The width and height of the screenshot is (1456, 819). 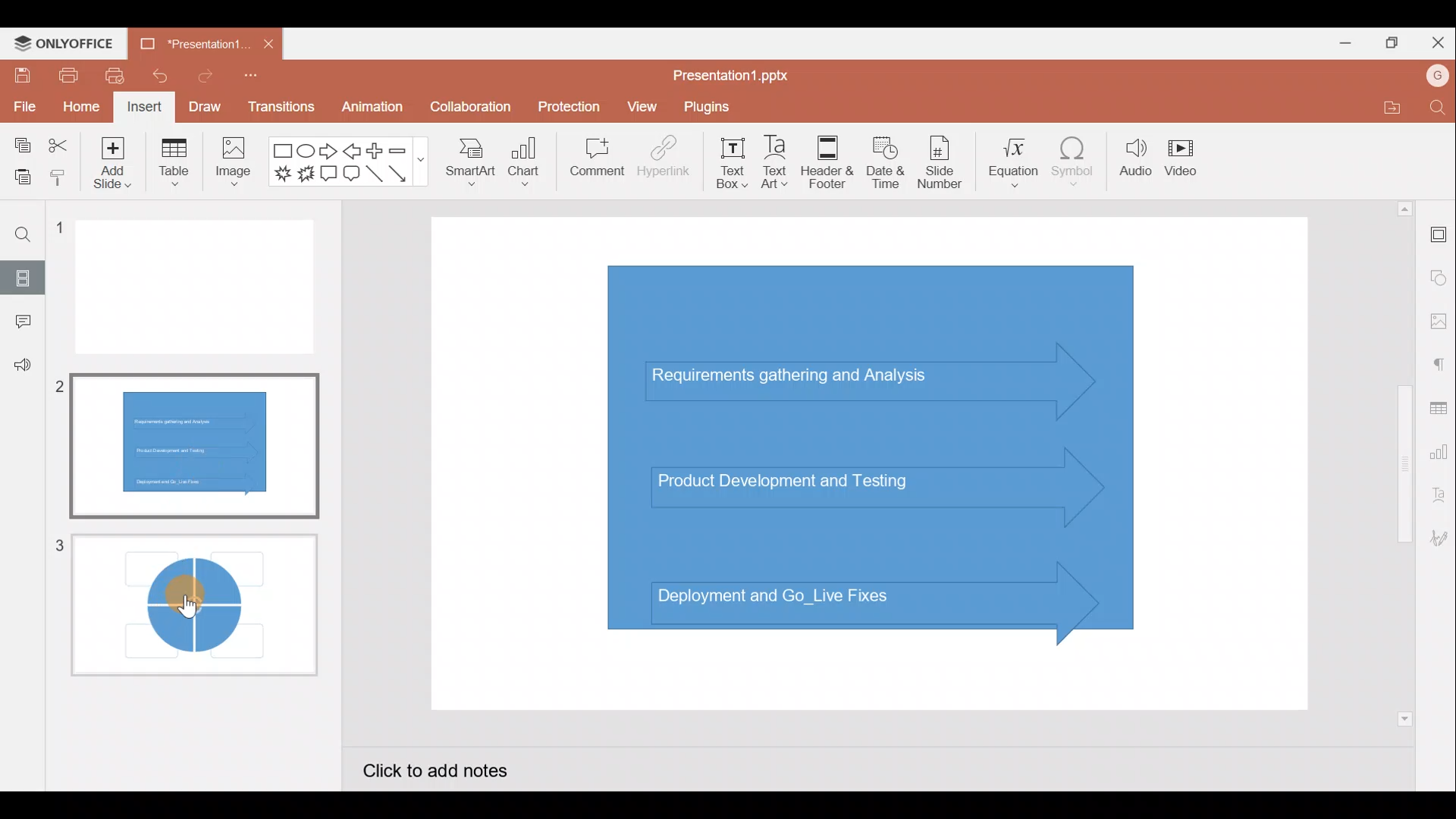 I want to click on Slides, so click(x=23, y=275).